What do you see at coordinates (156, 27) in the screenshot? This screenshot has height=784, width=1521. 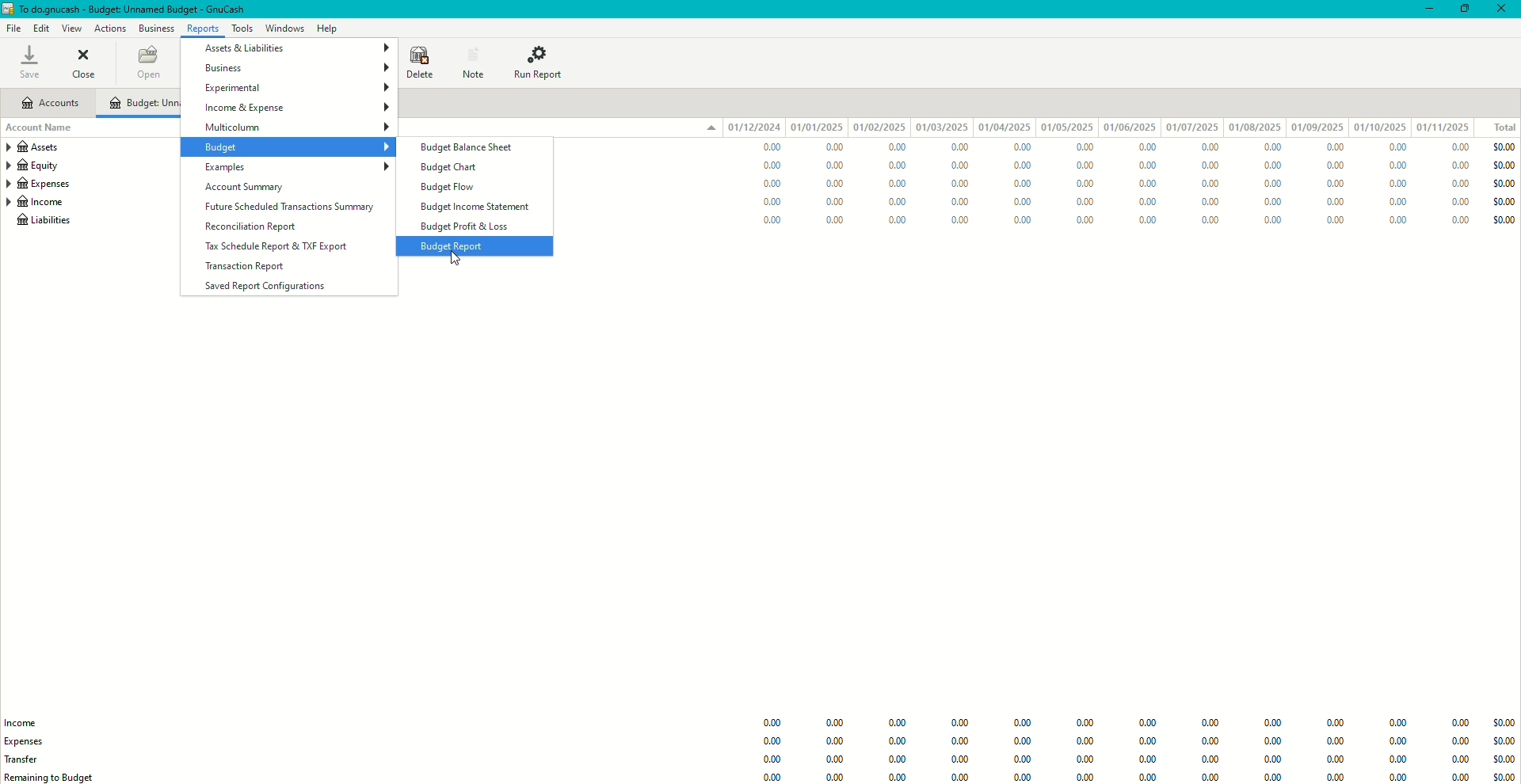 I see `Business` at bounding box center [156, 27].